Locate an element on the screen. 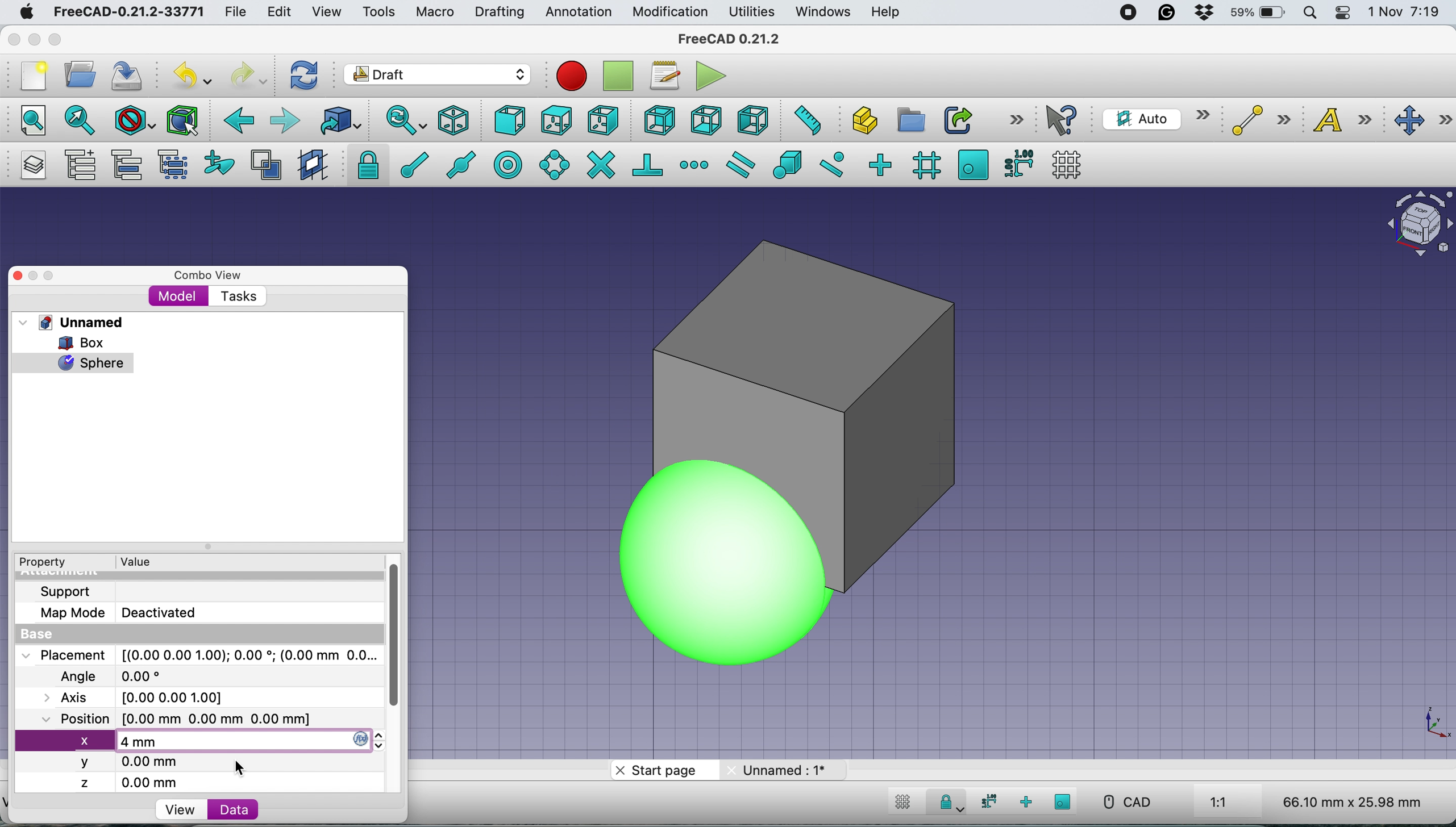  date and time is located at coordinates (1405, 12).